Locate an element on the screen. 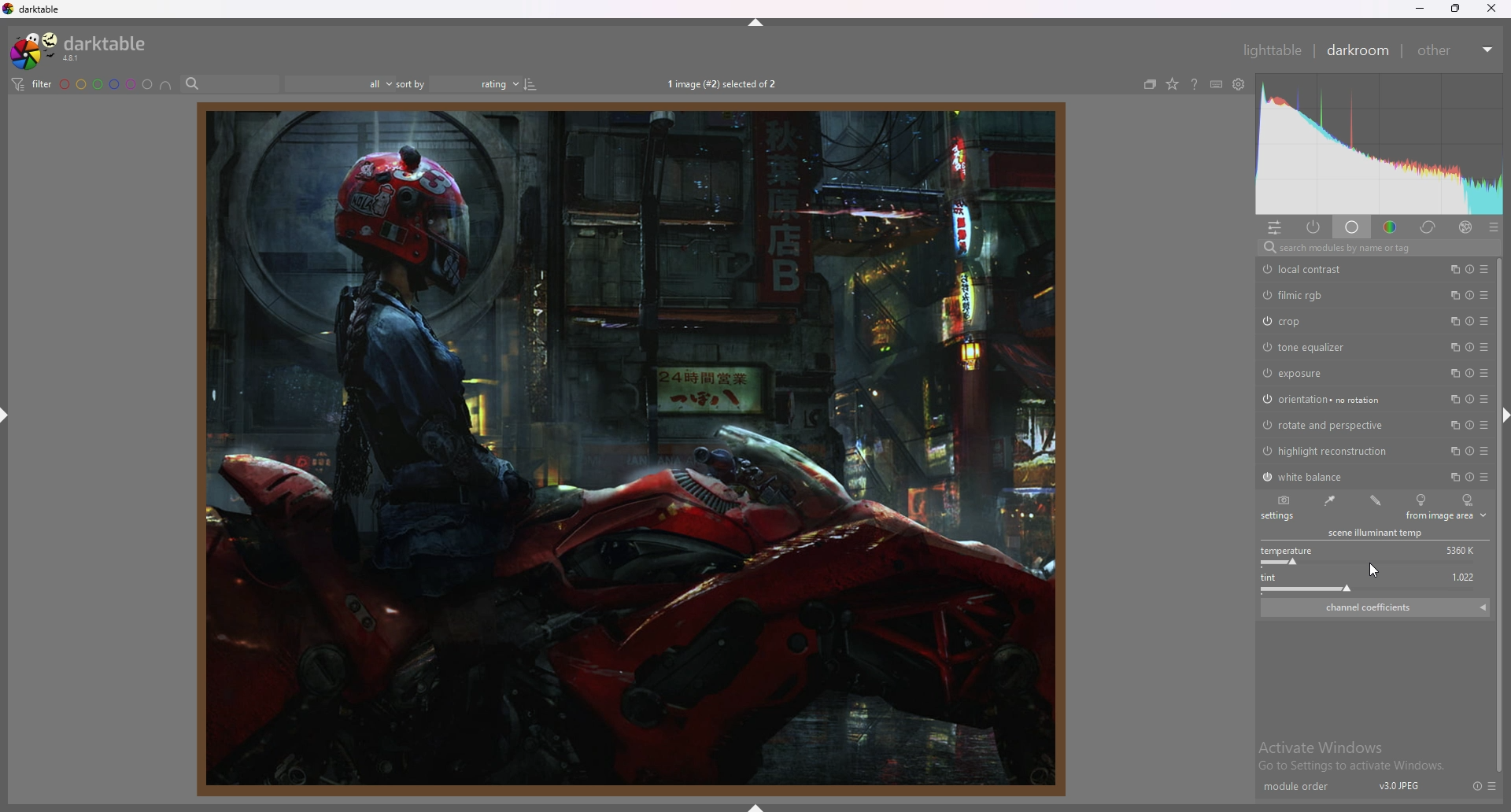 This screenshot has width=1511, height=812. presets is located at coordinates (1484, 451).